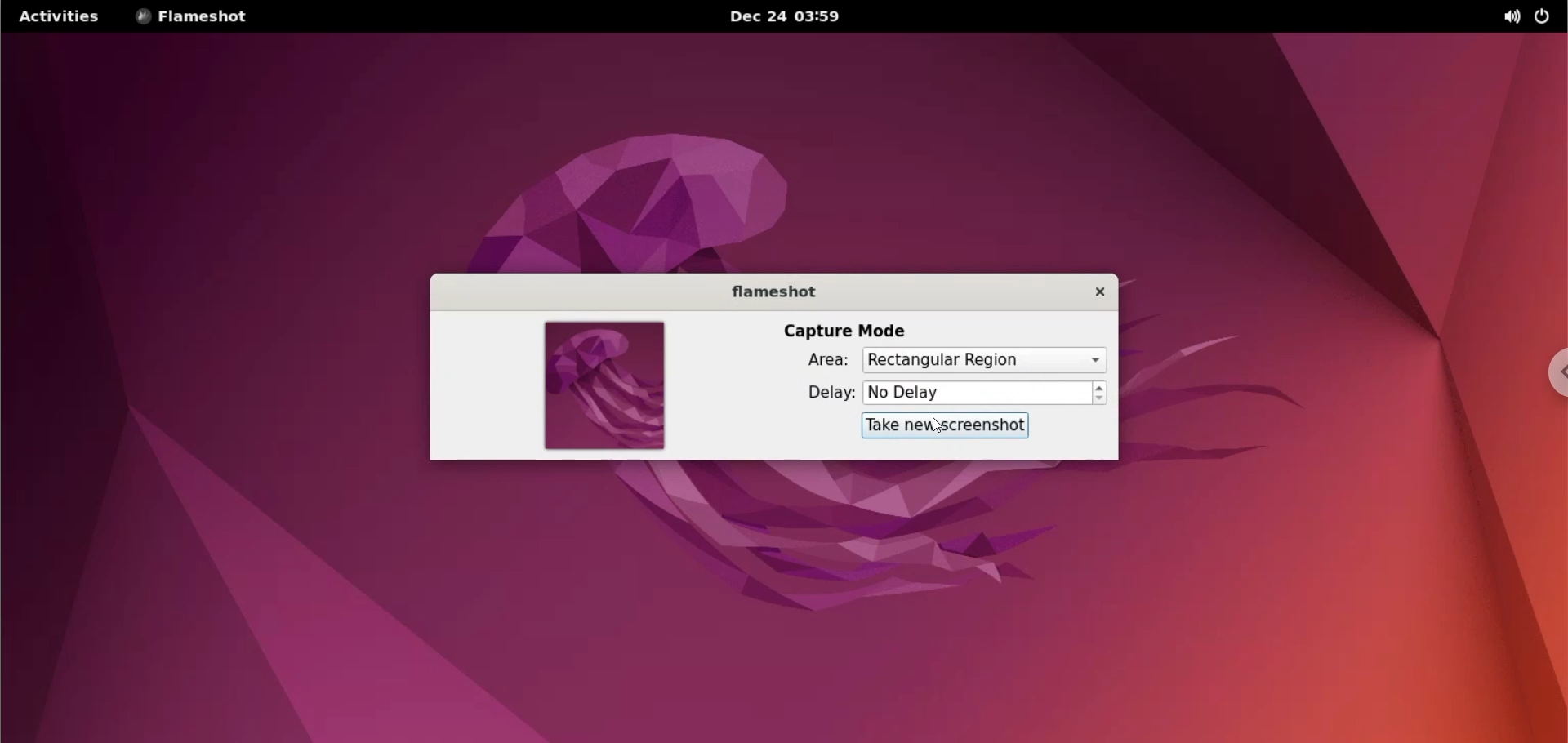  Describe the element at coordinates (772, 291) in the screenshot. I see `flameshot label` at that location.